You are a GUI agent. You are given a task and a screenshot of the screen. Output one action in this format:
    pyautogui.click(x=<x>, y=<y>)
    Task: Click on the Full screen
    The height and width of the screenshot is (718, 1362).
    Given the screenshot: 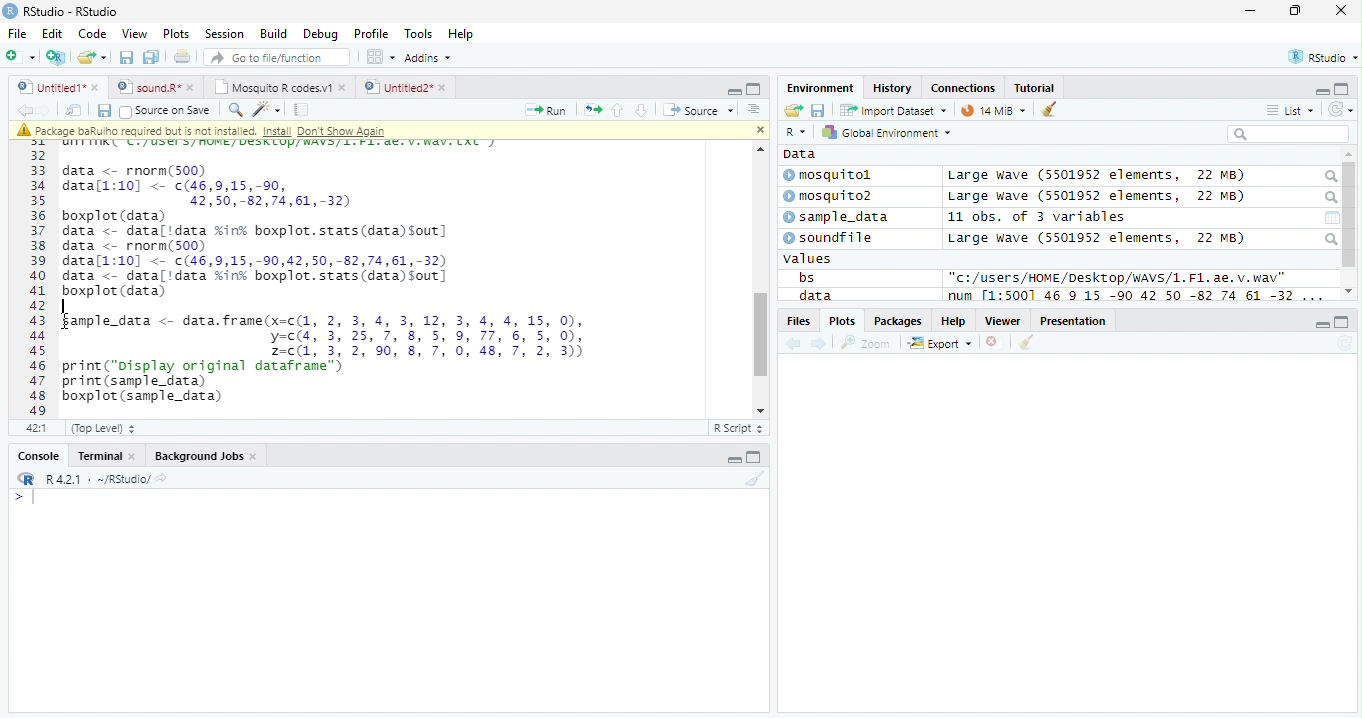 What is the action you would take?
    pyautogui.click(x=753, y=89)
    